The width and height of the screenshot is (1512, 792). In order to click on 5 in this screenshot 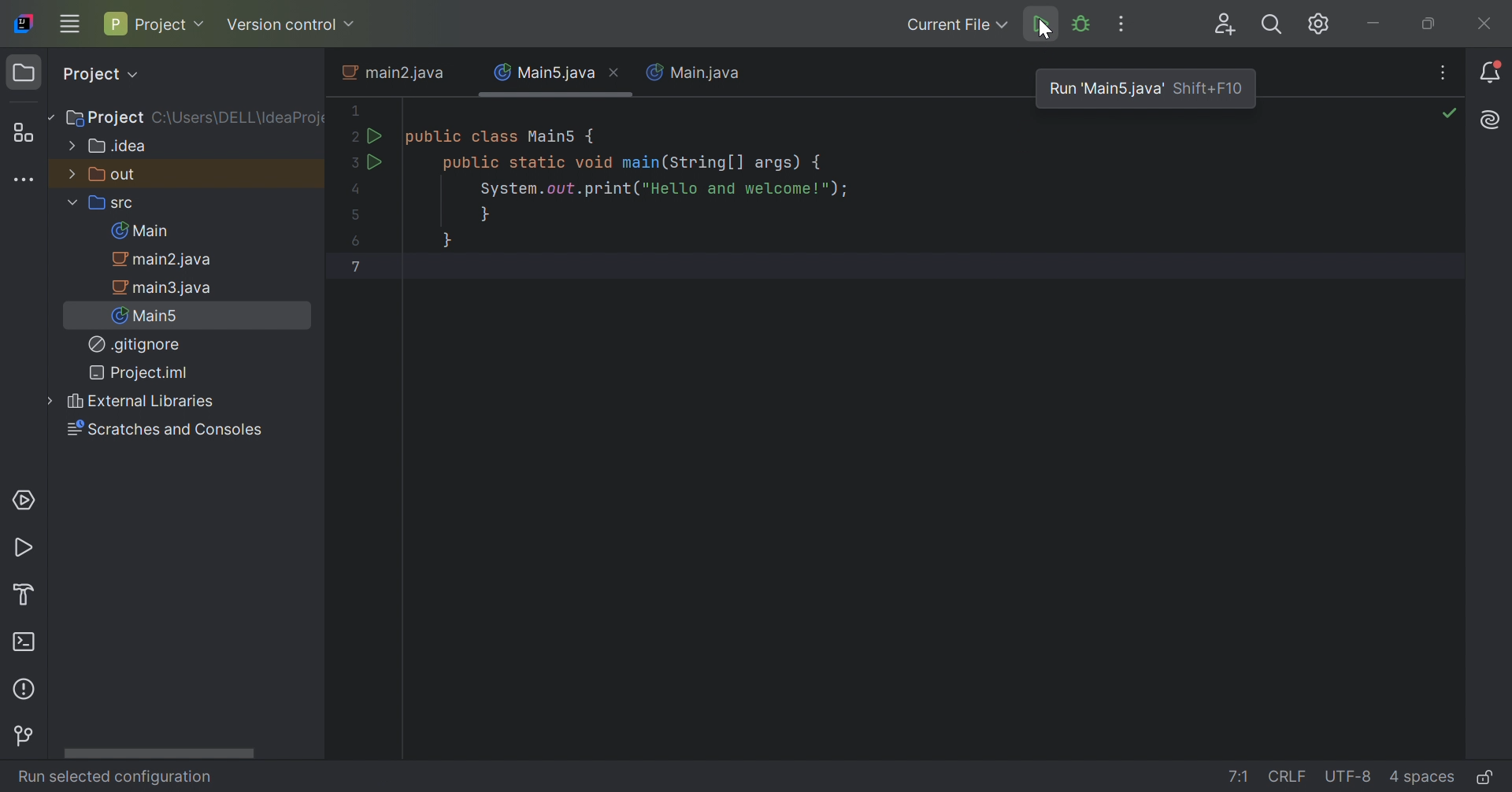, I will do `click(357, 214)`.